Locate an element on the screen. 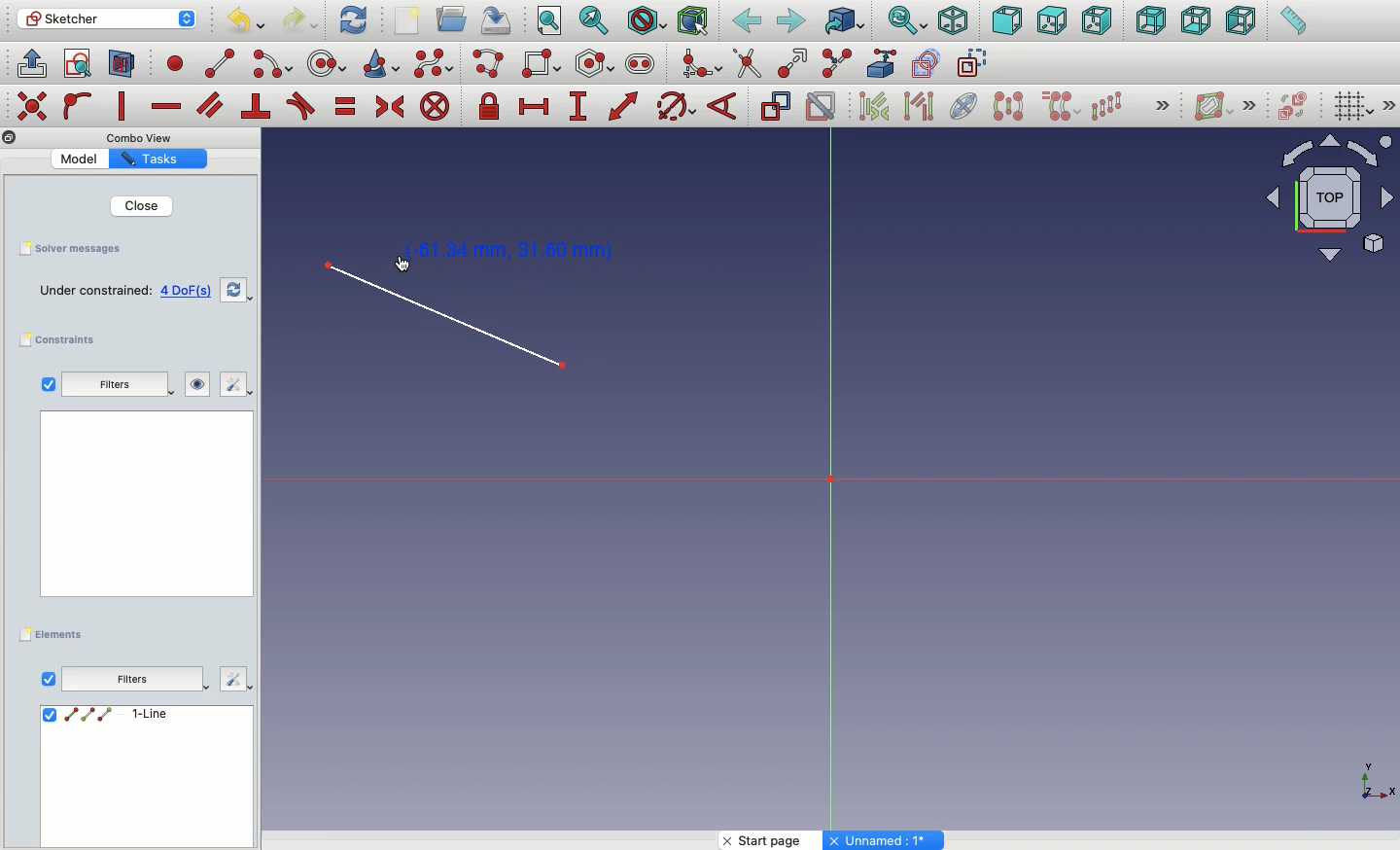 Image resolution: width=1400 pixels, height=850 pixels. Constrain perpendicular is located at coordinates (257, 107).